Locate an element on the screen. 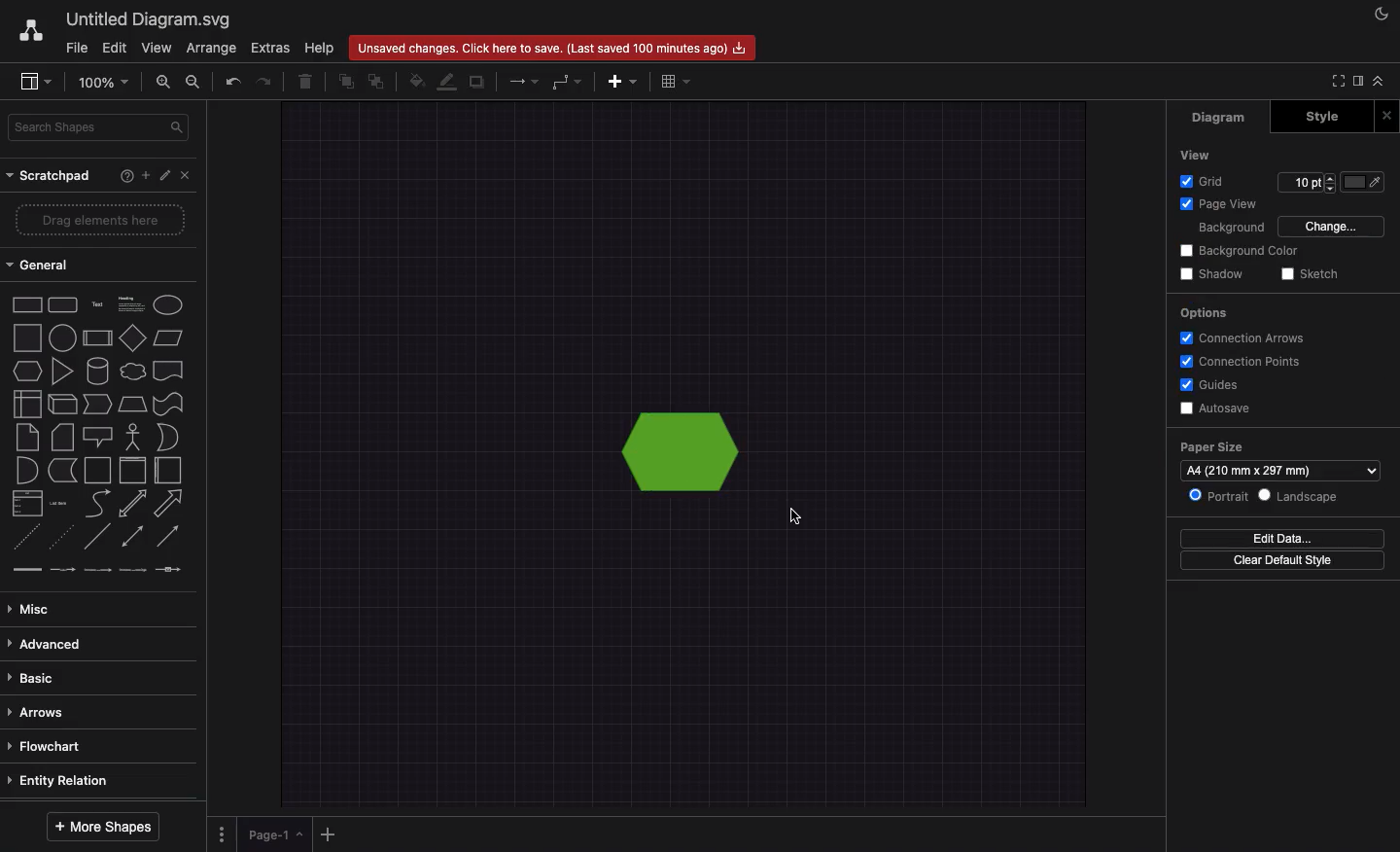  Fill  is located at coordinates (415, 82).